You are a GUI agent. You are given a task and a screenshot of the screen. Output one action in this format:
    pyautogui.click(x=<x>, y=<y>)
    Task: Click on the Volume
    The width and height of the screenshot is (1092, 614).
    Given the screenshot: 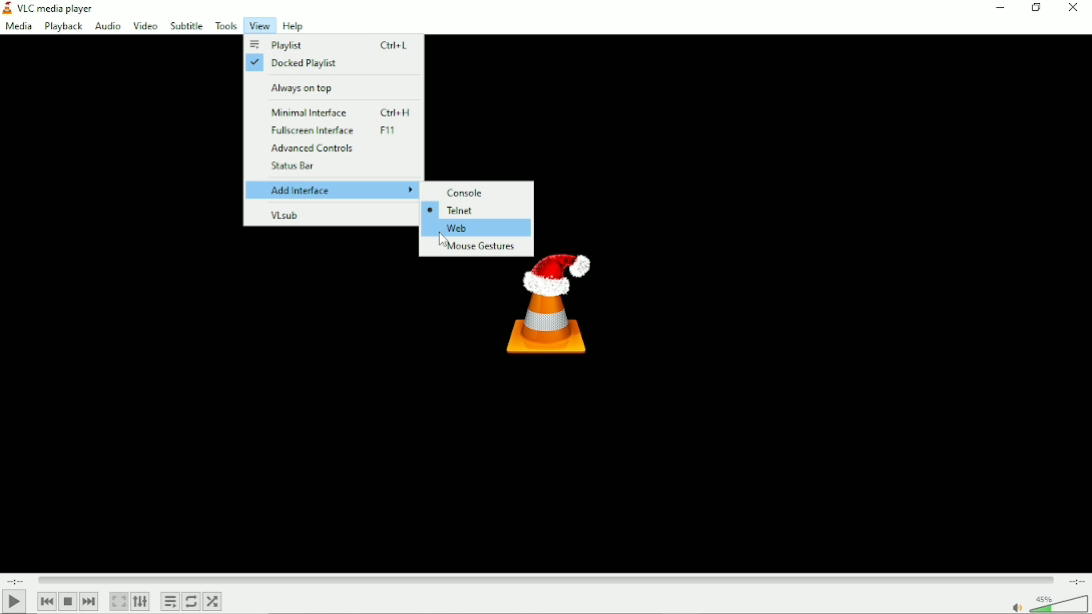 What is the action you would take?
    pyautogui.click(x=1046, y=603)
    